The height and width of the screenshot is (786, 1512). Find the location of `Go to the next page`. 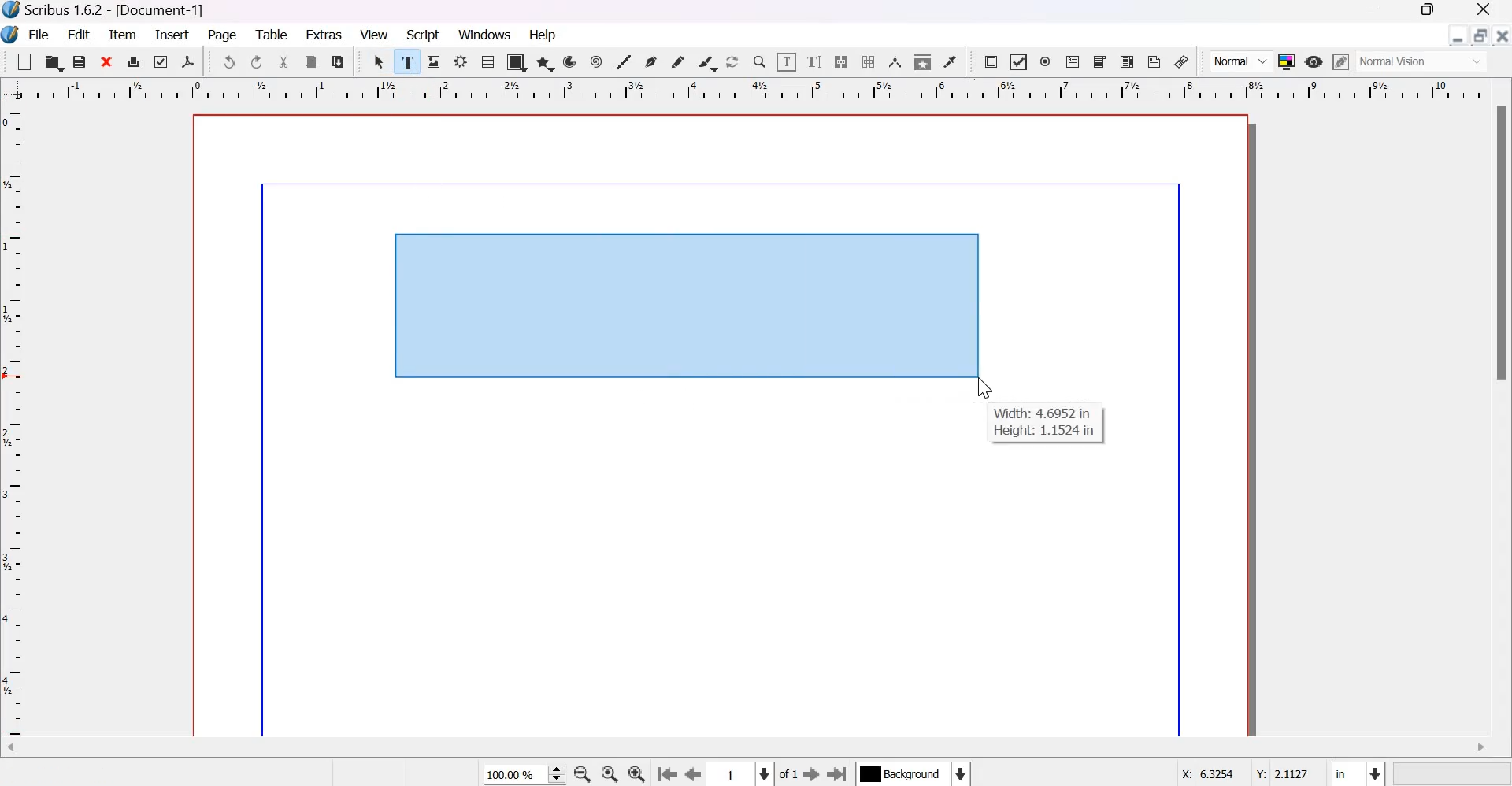

Go to the next page is located at coordinates (811, 774).